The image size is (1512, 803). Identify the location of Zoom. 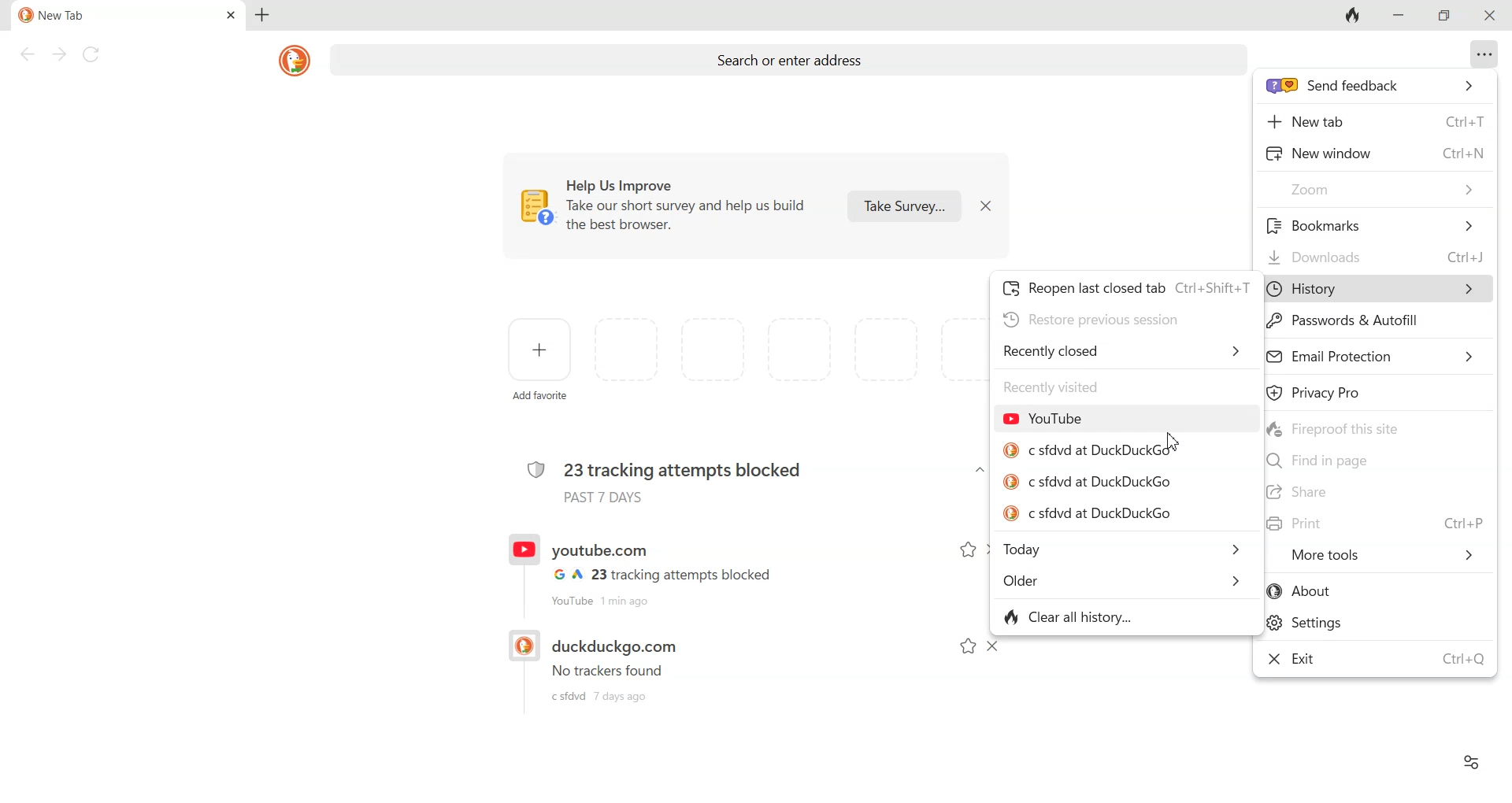
(1375, 189).